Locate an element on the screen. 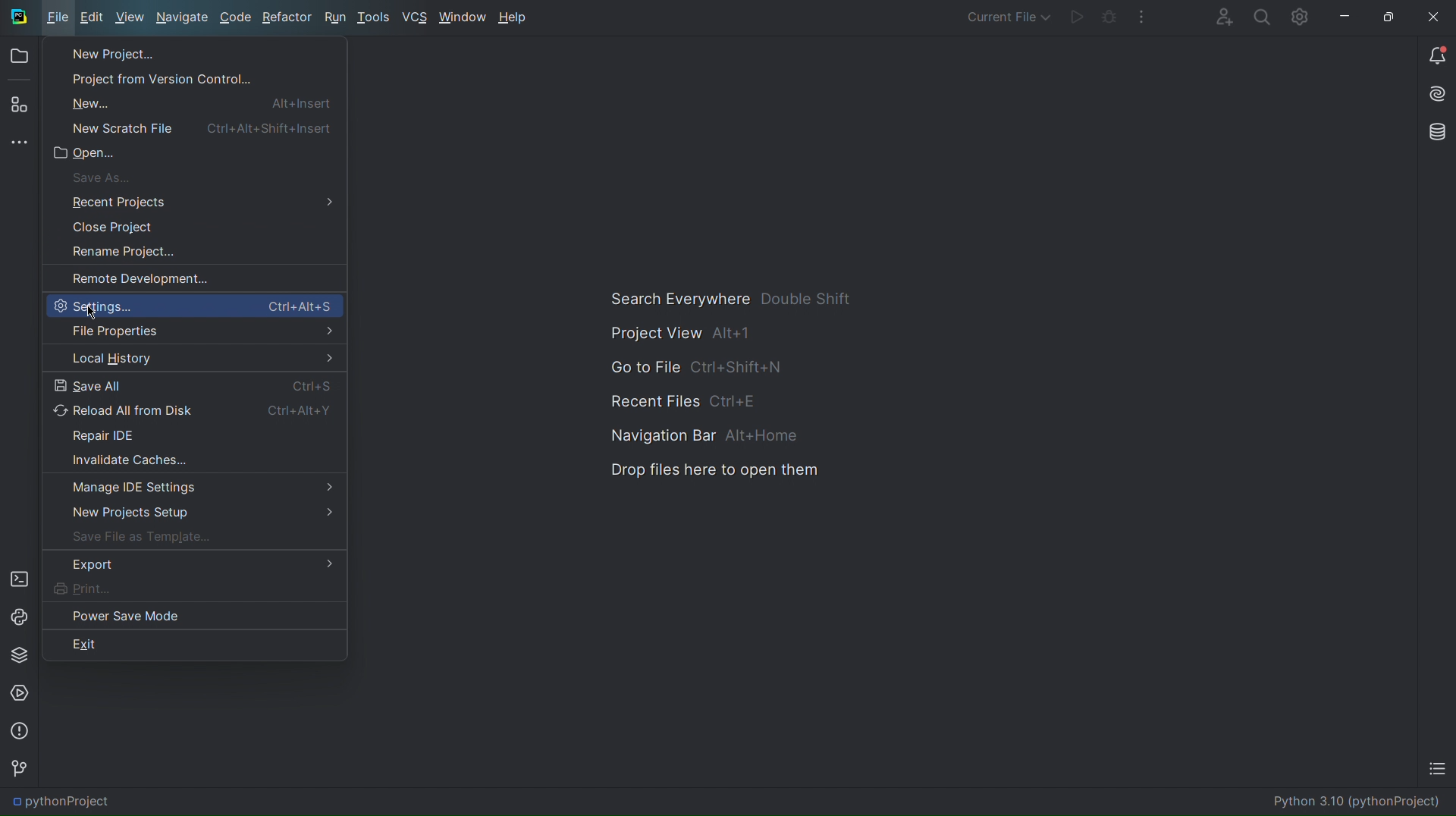 The height and width of the screenshot is (816, 1456). Maximize is located at coordinates (1386, 16).